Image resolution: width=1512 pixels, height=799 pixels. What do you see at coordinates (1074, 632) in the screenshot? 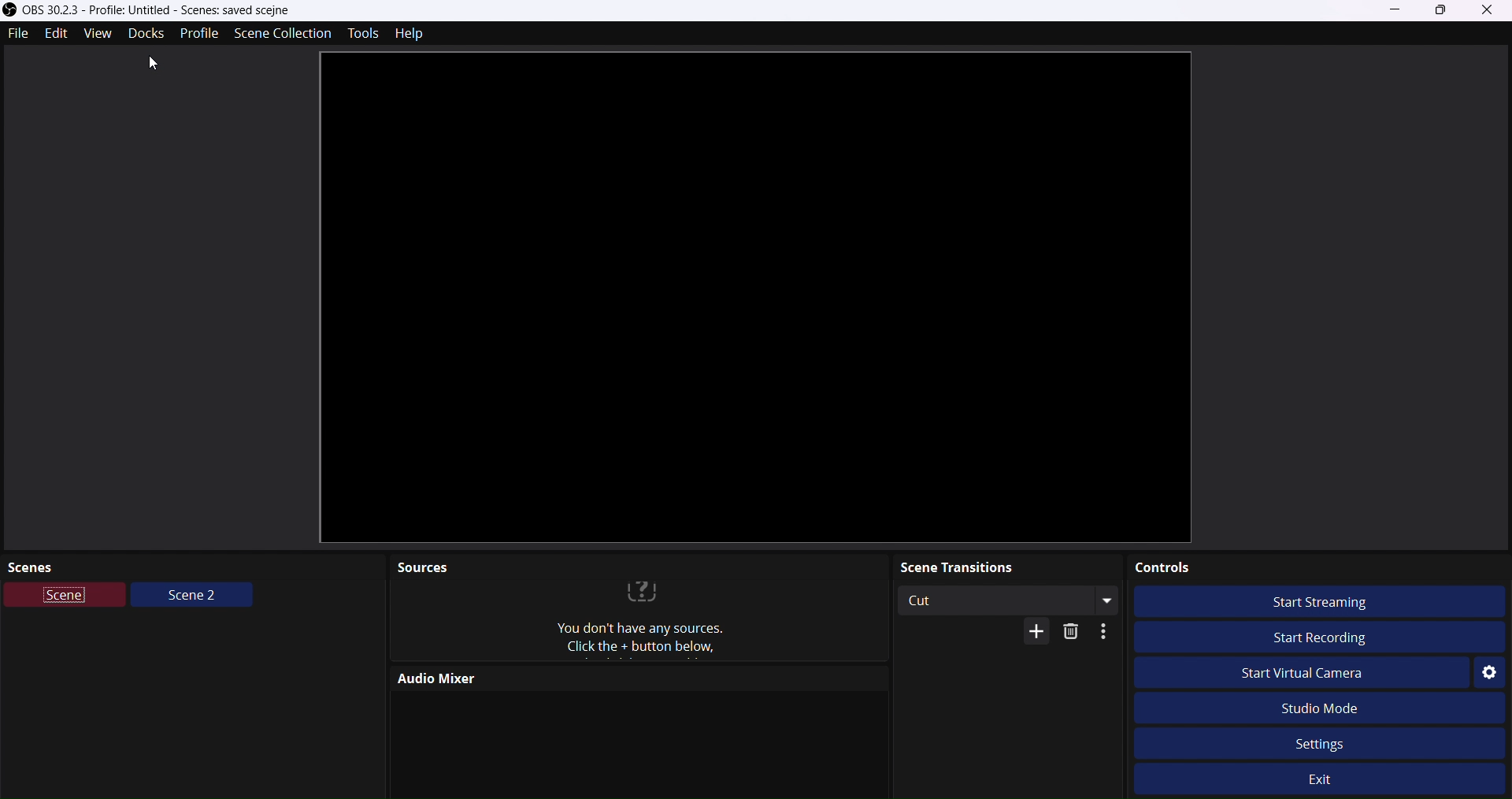
I see `Delete` at bounding box center [1074, 632].